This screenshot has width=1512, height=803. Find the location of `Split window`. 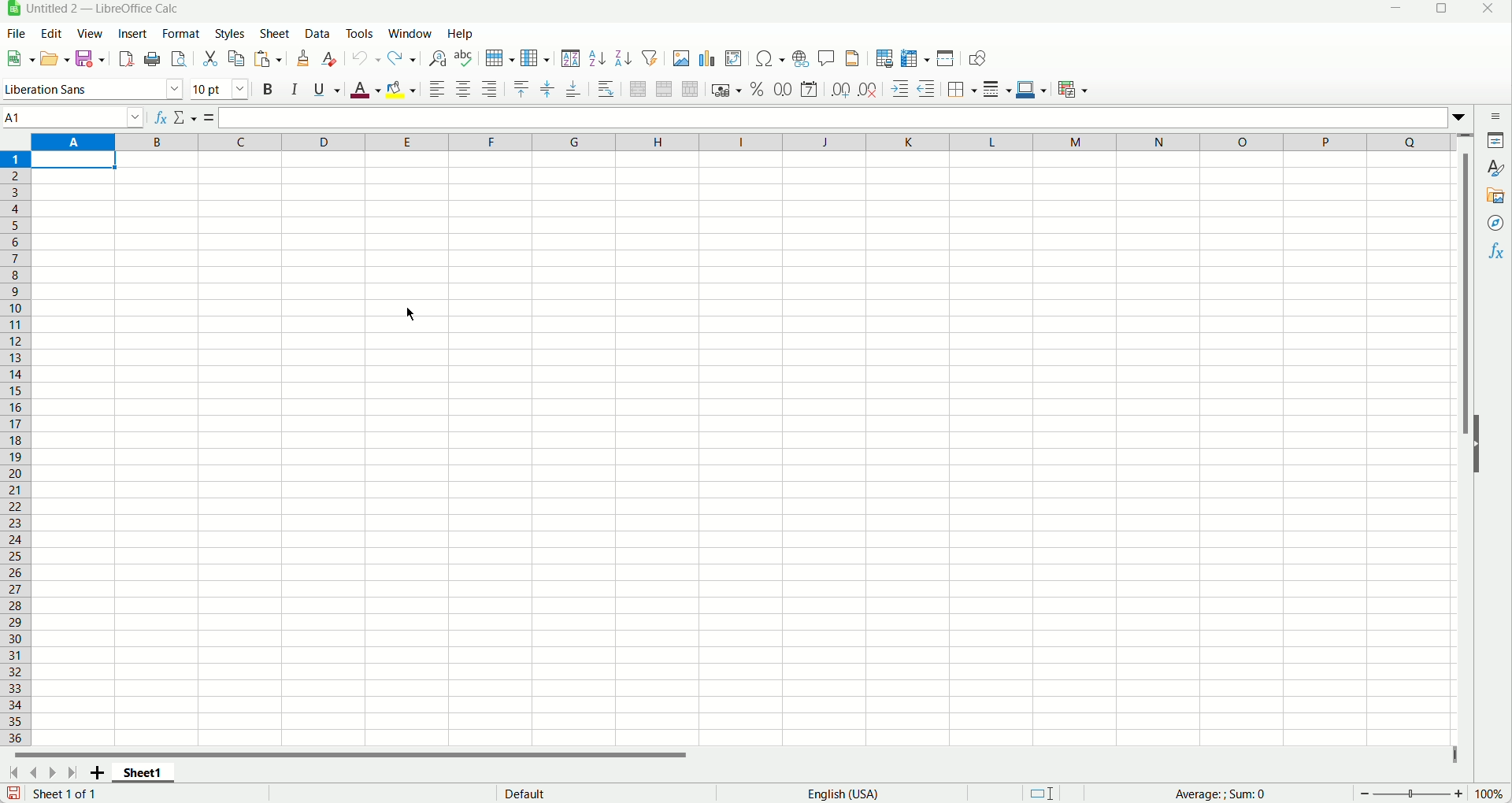

Split window is located at coordinates (947, 58).